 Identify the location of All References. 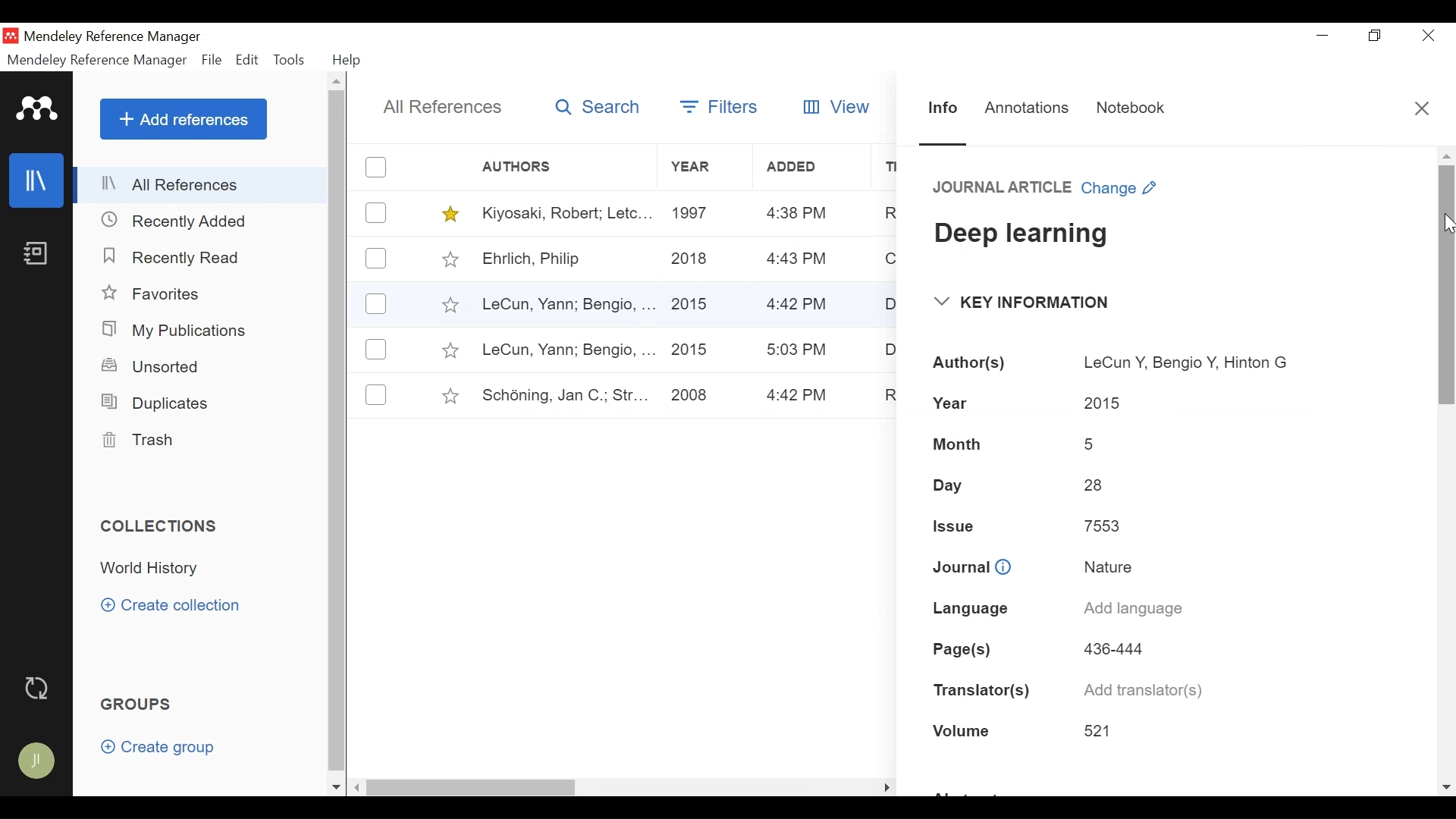
(444, 107).